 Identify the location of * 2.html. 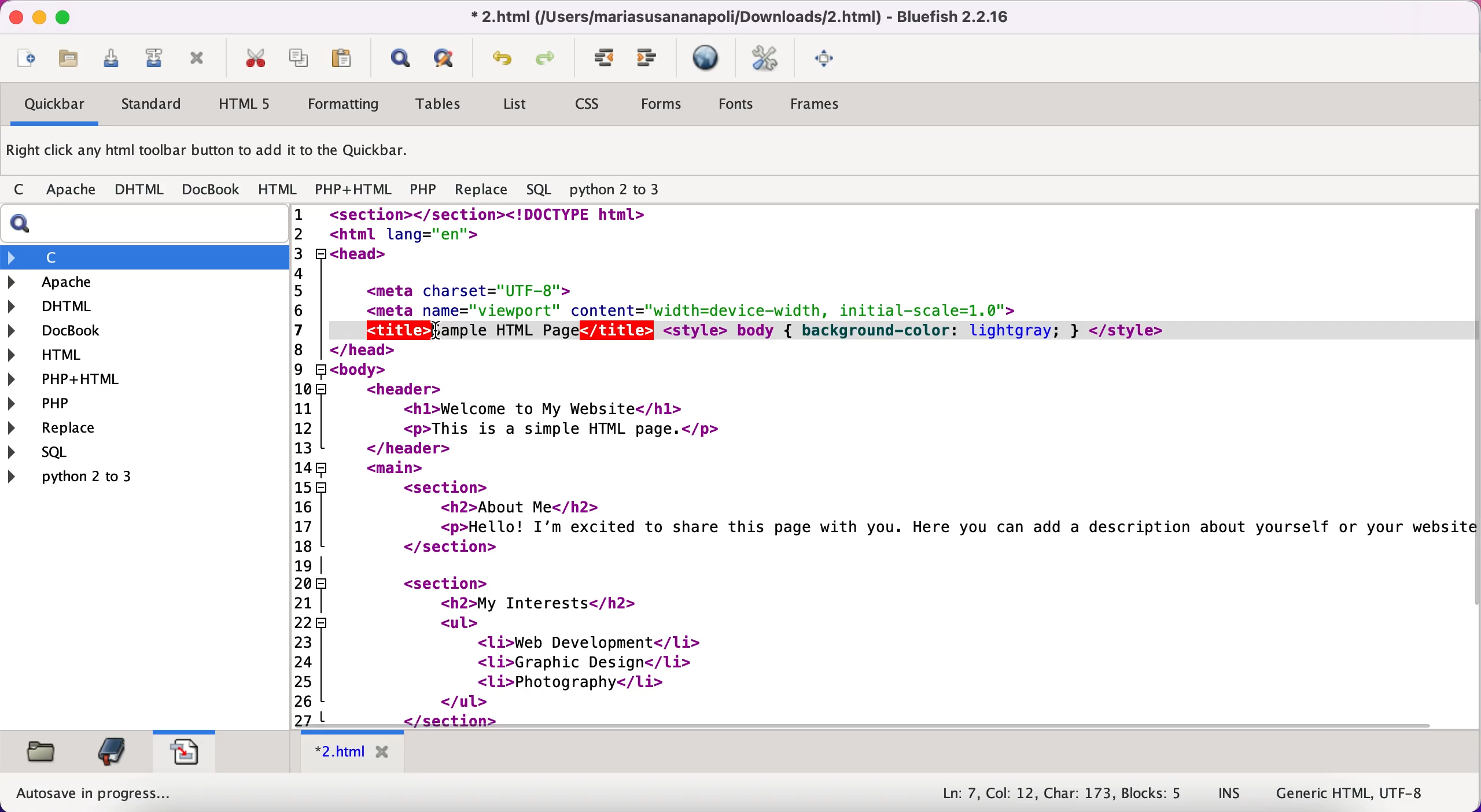
(355, 752).